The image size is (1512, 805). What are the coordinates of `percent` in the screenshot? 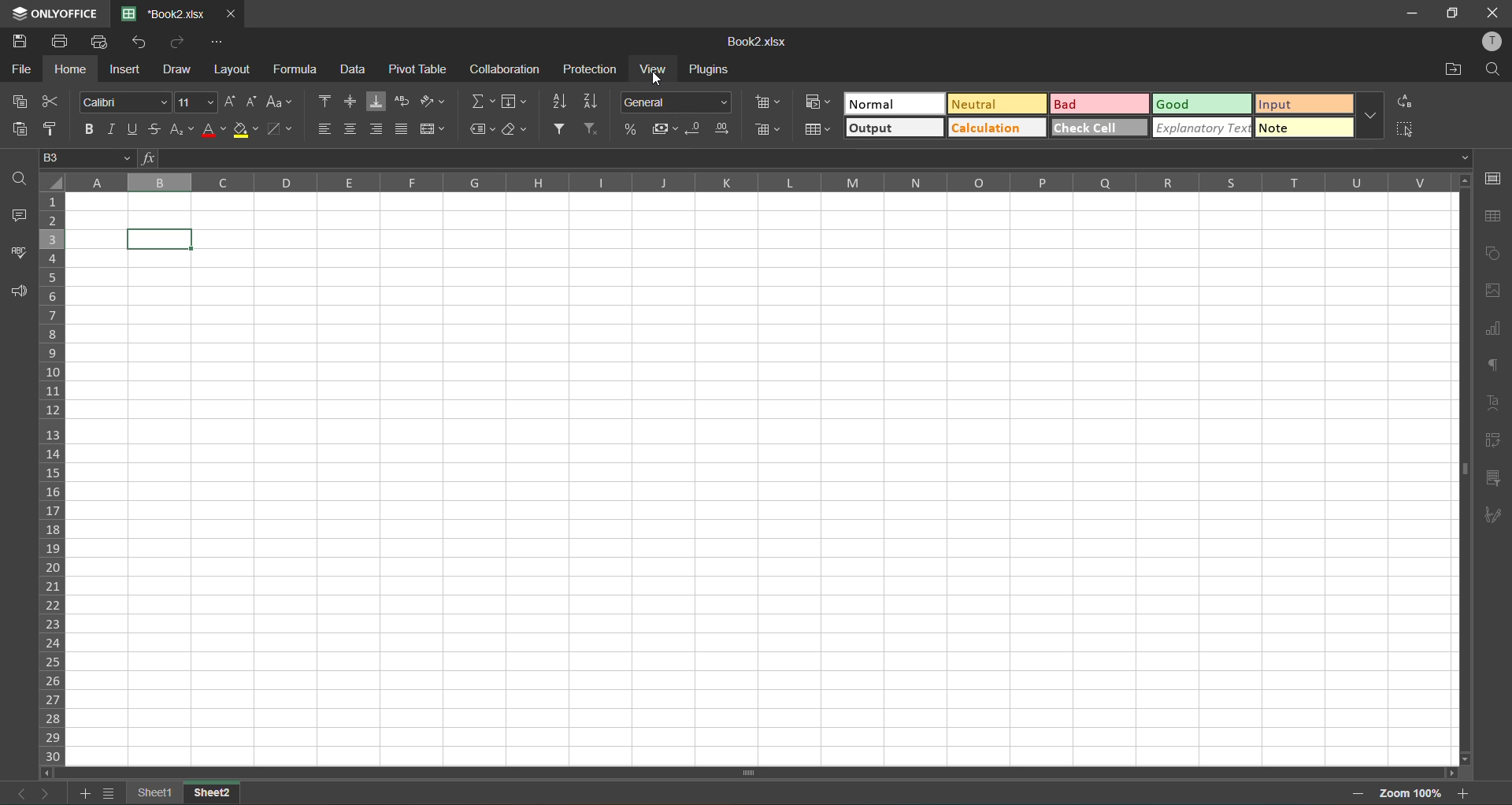 It's located at (634, 130).